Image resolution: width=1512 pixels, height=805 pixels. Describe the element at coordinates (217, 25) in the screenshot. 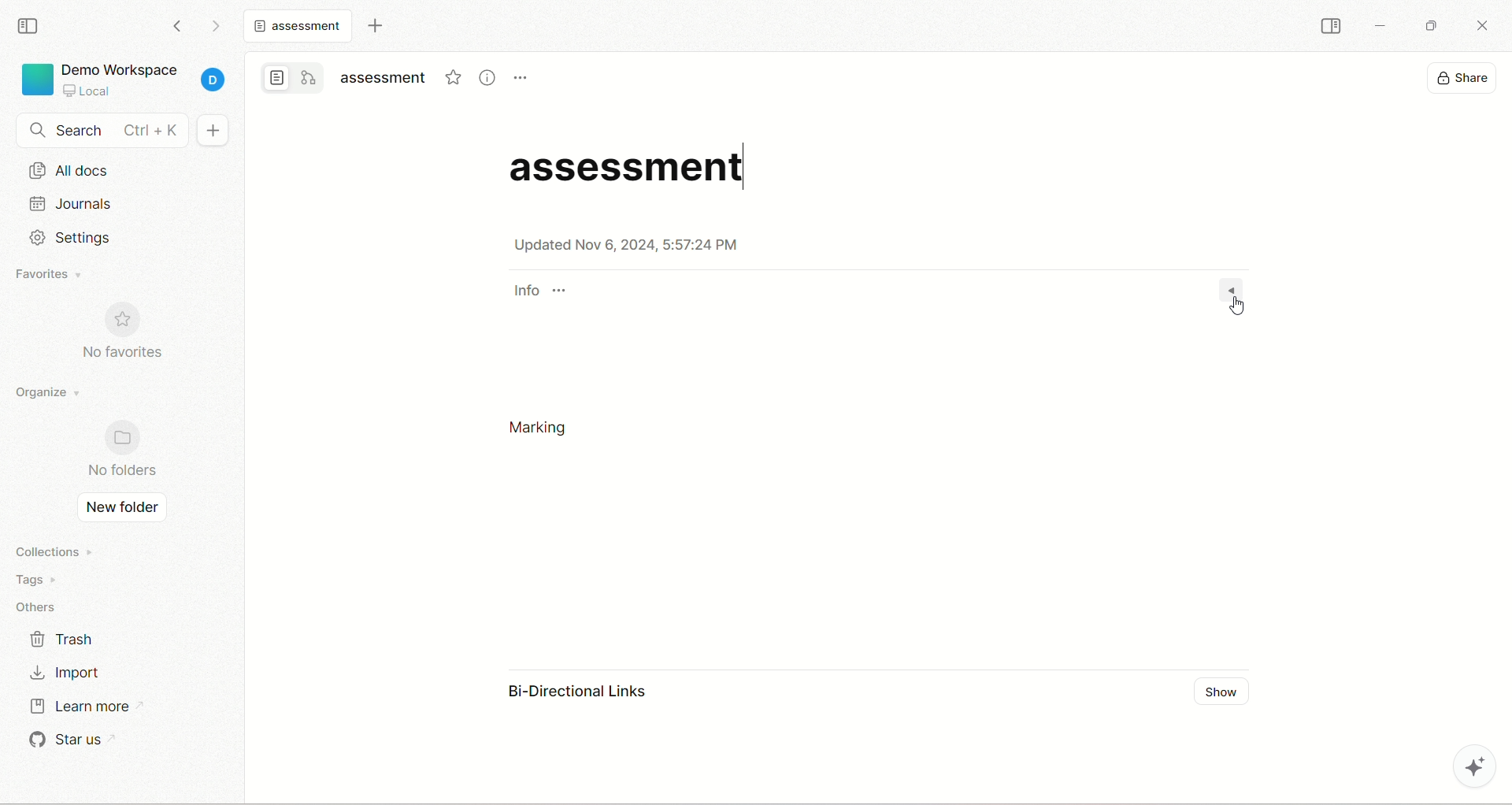

I see `go forward` at that location.